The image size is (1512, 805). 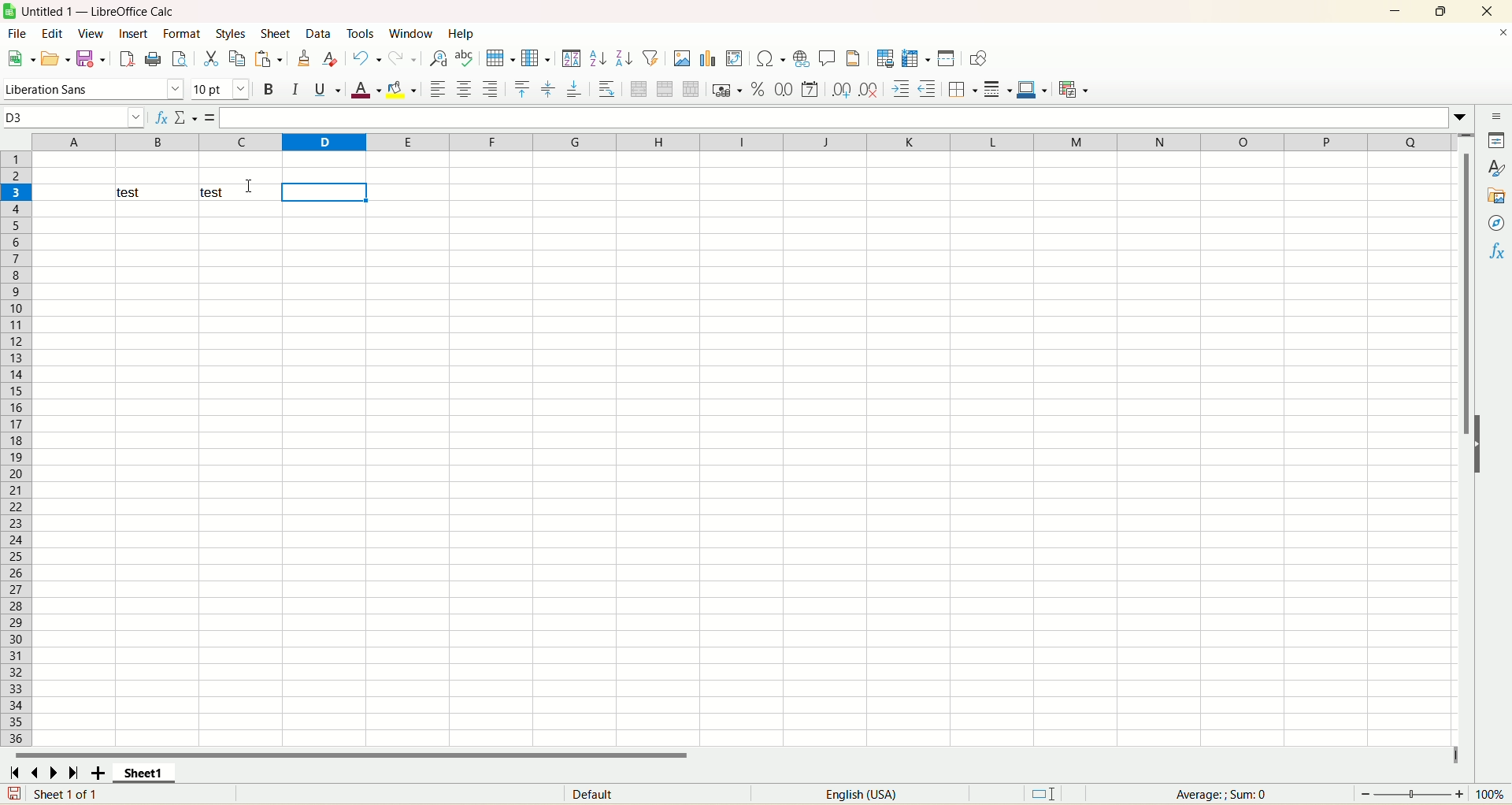 What do you see at coordinates (365, 89) in the screenshot?
I see `font color` at bounding box center [365, 89].